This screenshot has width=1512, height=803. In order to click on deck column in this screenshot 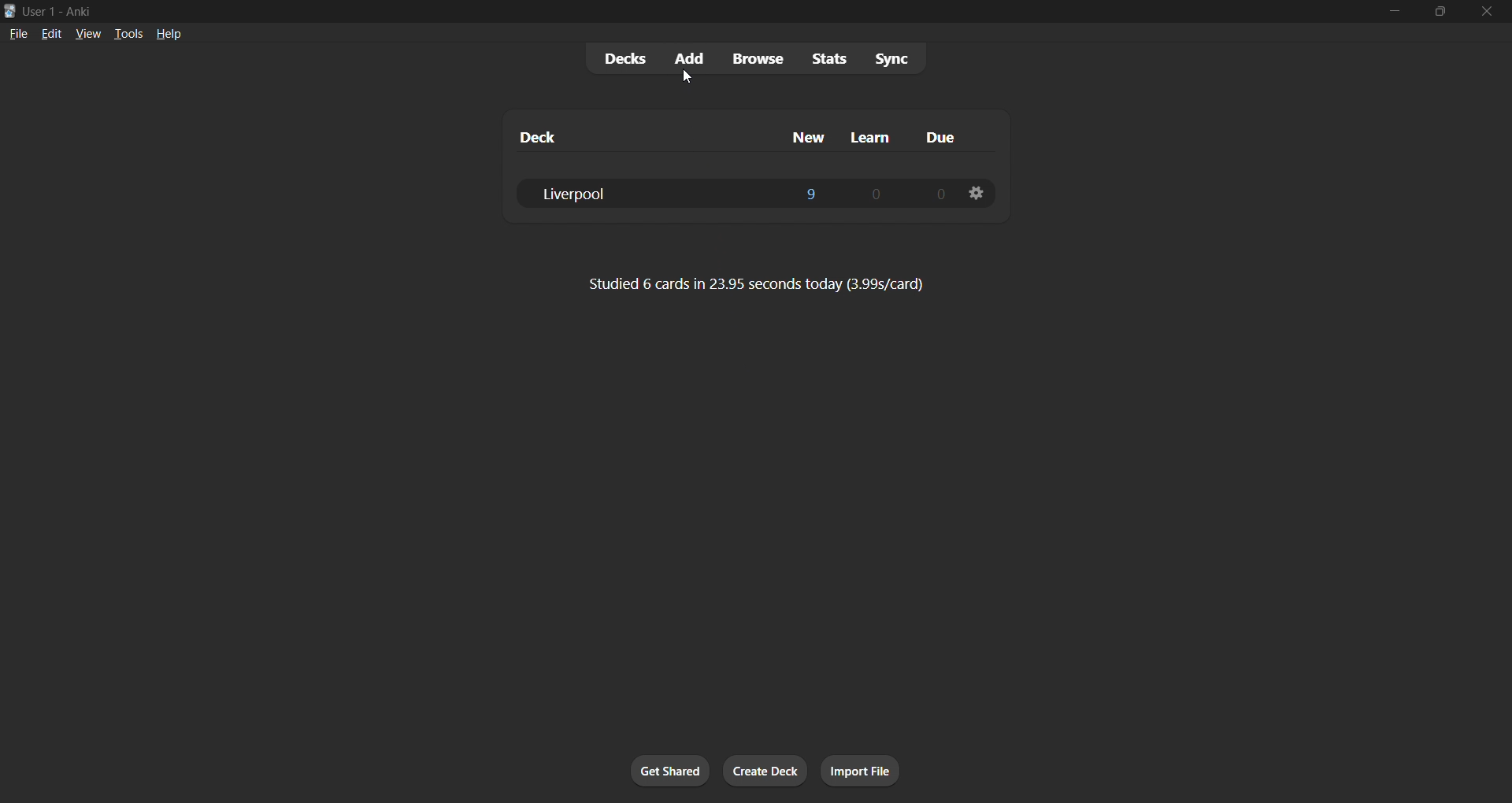, I will do `click(632, 136)`.